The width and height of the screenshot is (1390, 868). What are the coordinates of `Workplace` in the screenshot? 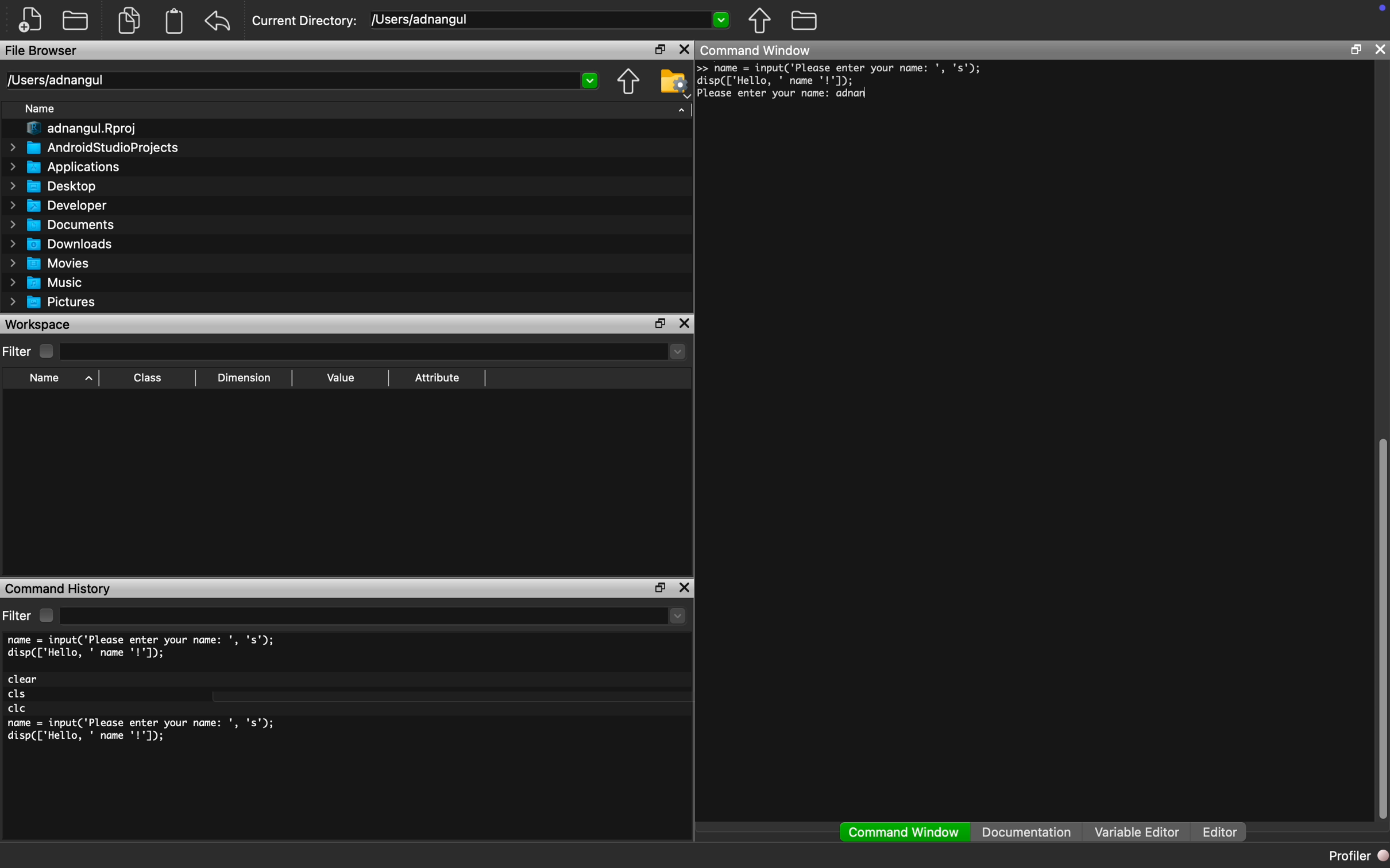 It's located at (40, 324).